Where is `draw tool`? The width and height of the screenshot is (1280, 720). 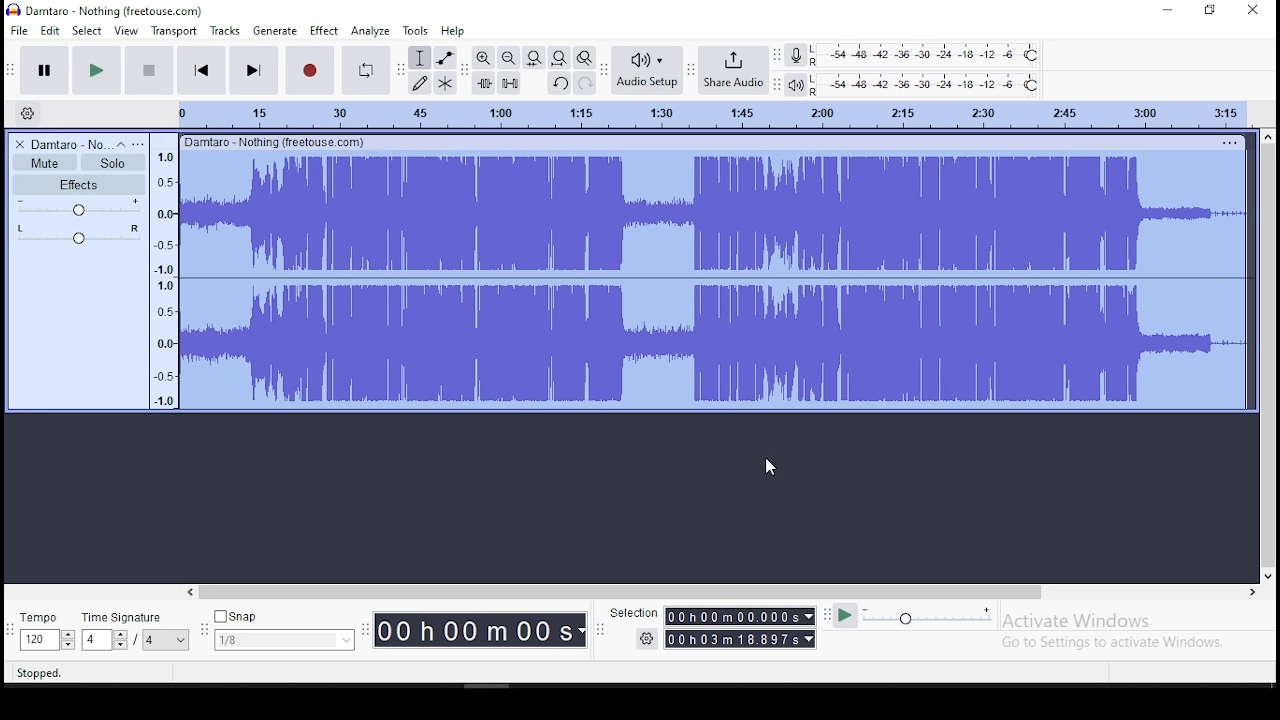
draw tool is located at coordinates (420, 83).